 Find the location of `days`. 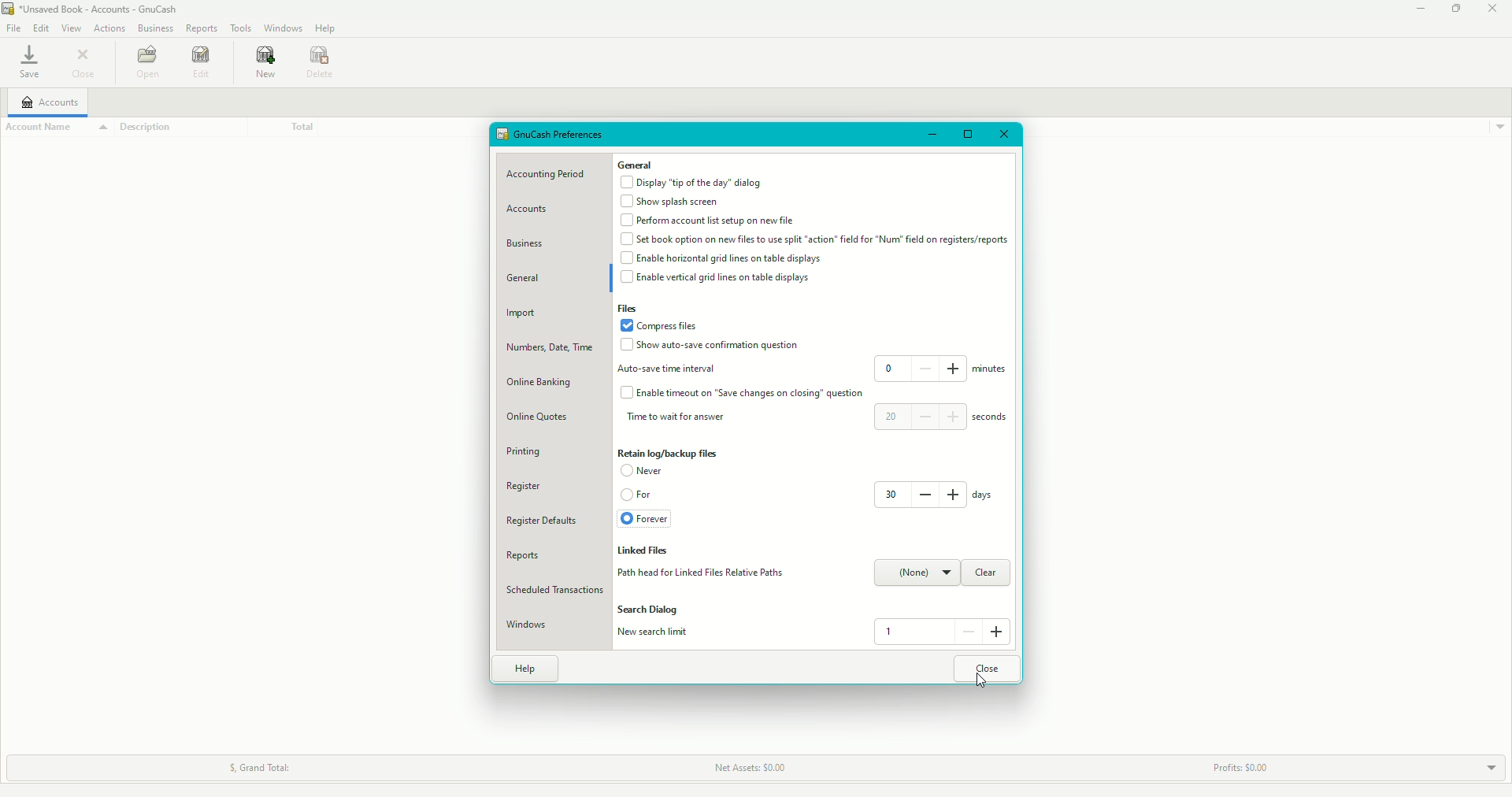

days is located at coordinates (983, 495).